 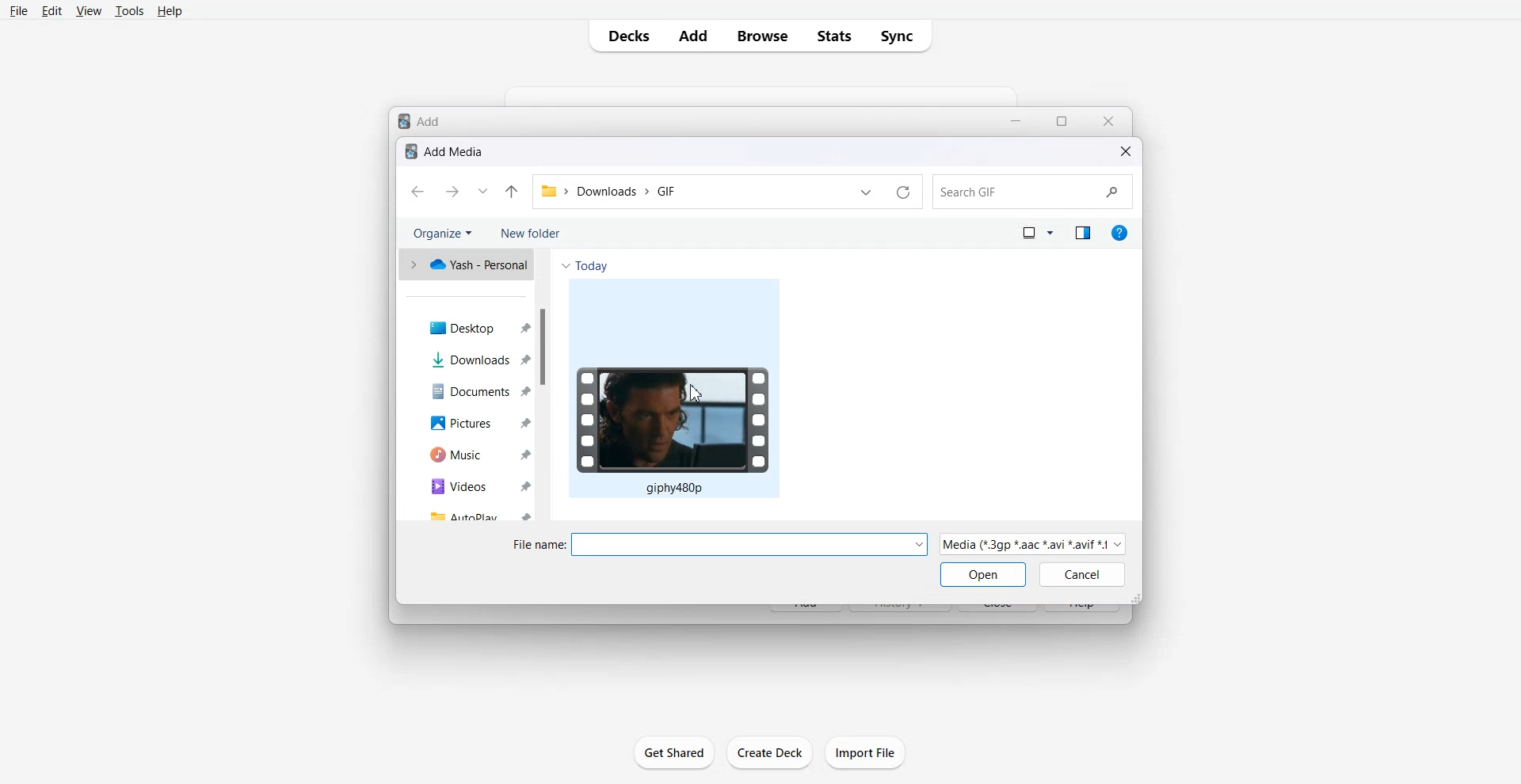 What do you see at coordinates (542, 383) in the screenshot?
I see `Vertical scroll bar` at bounding box center [542, 383].